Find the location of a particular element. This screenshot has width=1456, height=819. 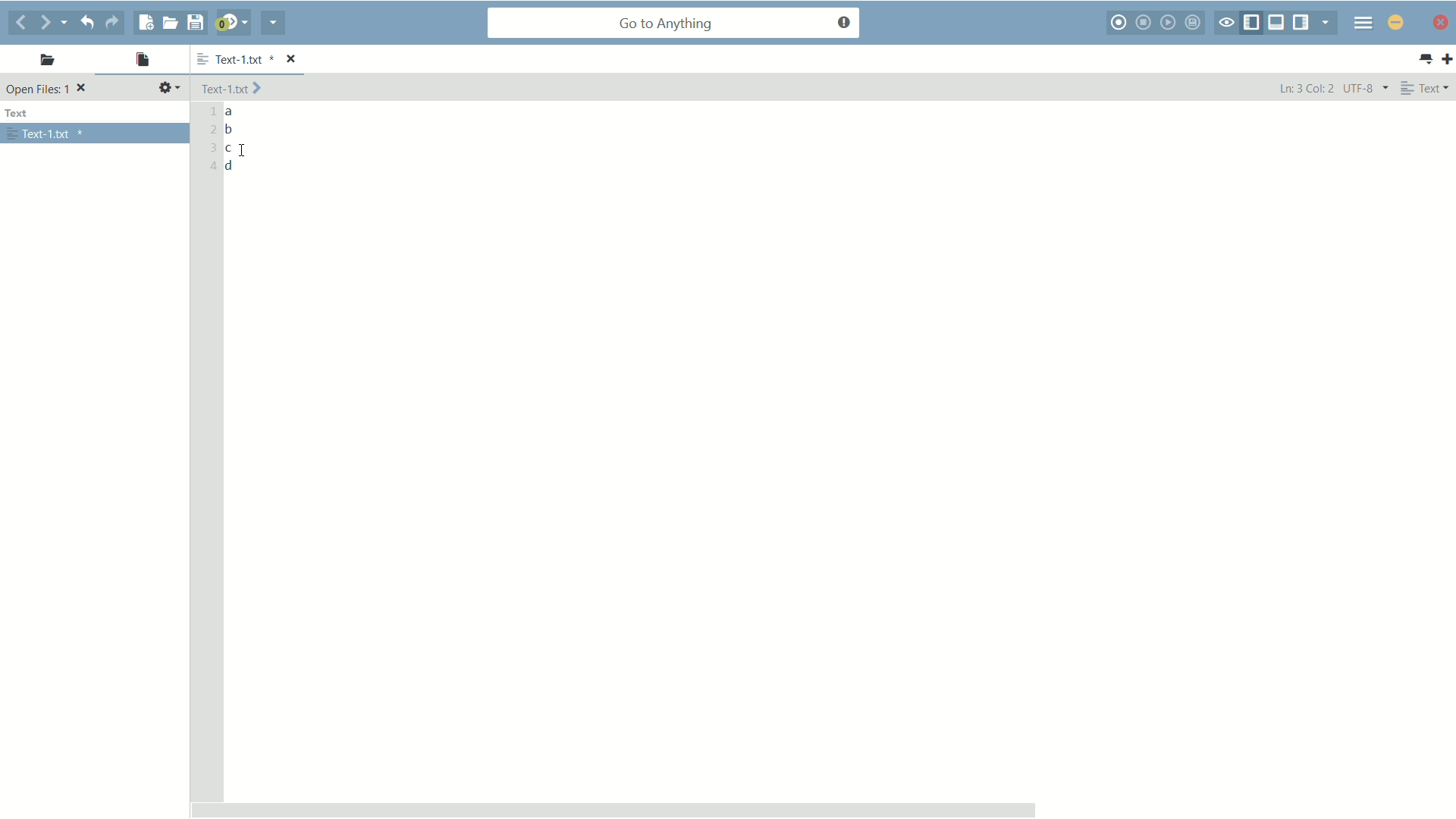

go back is located at coordinates (20, 22).